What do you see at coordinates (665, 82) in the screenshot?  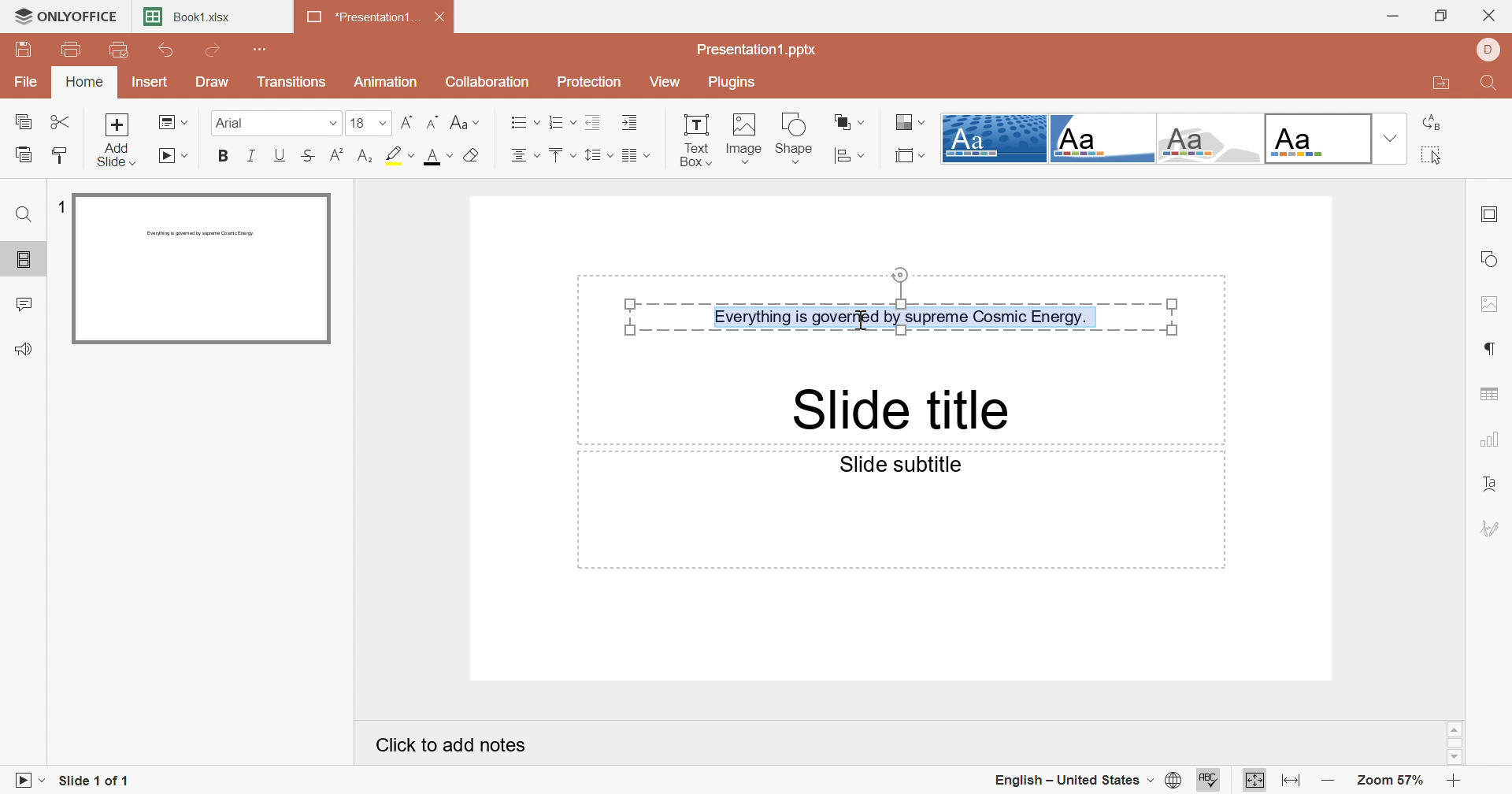 I see `View` at bounding box center [665, 82].